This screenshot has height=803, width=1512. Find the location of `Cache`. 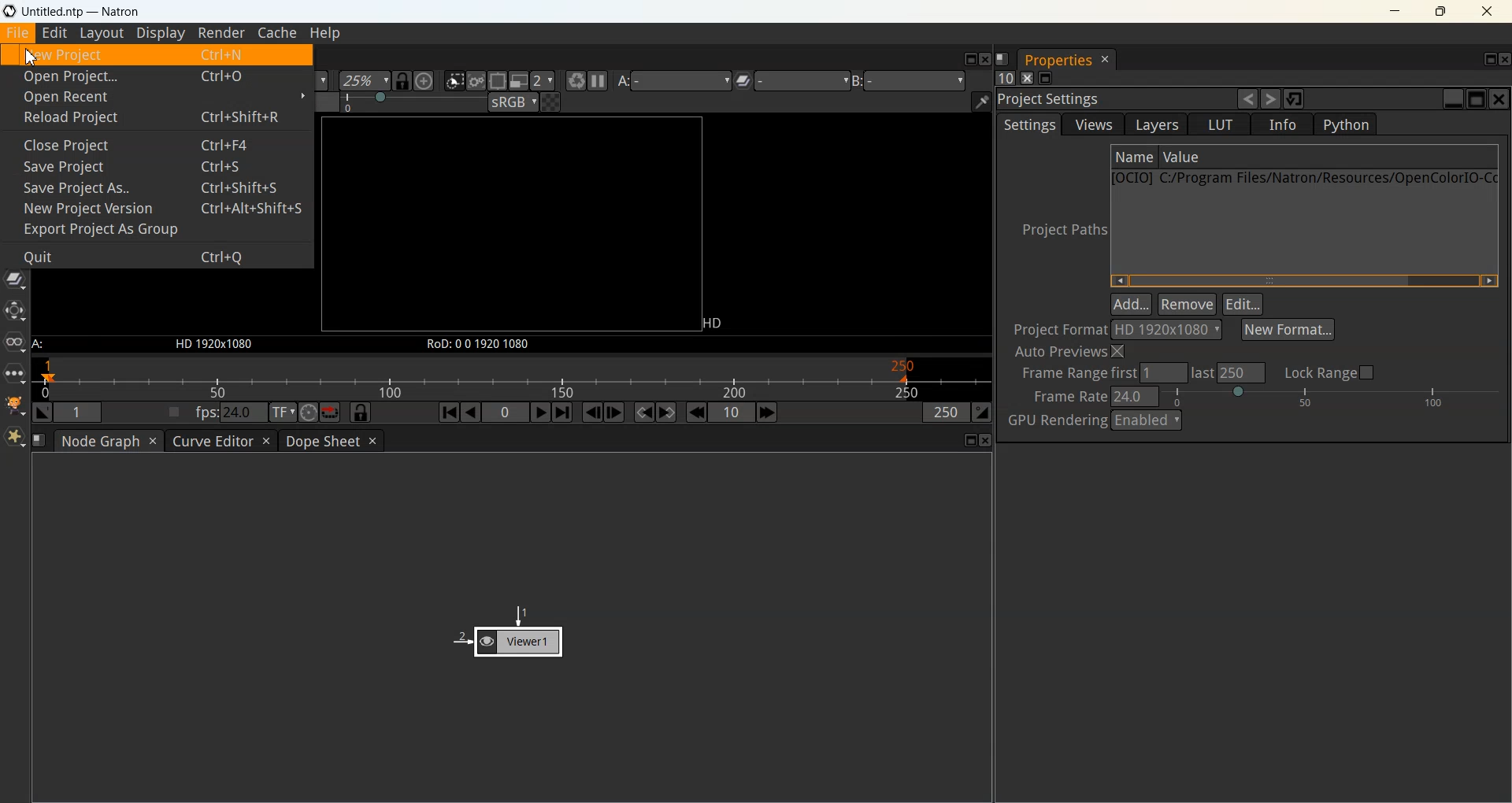

Cache is located at coordinates (278, 34).